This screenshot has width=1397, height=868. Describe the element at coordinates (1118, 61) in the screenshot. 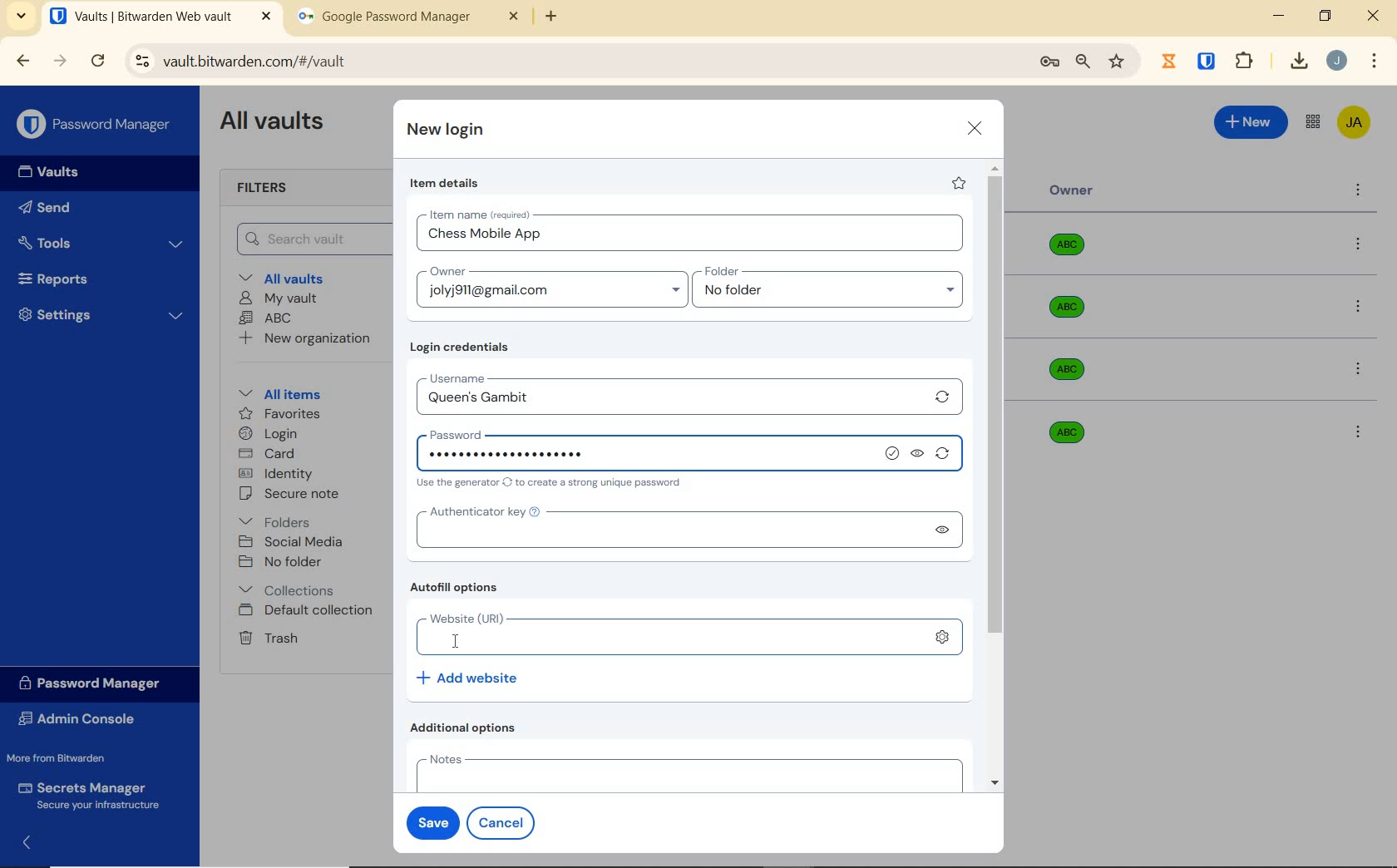

I see `bookmark` at that location.